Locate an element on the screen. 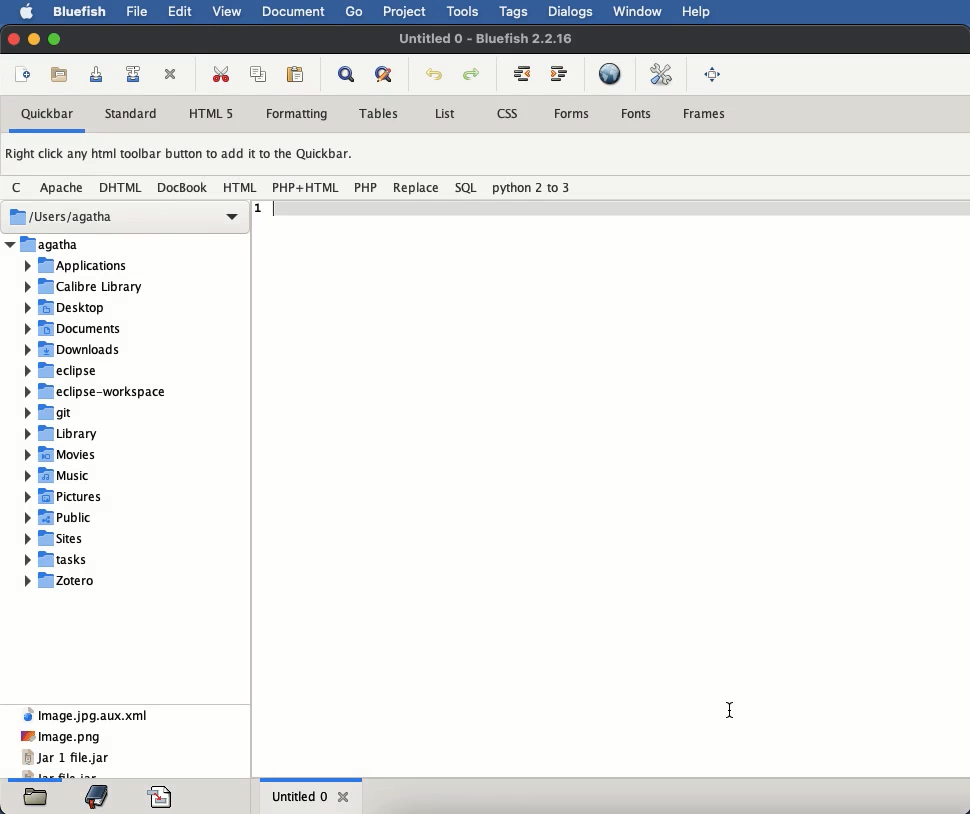 The image size is (970, 814). line is located at coordinates (610, 208).